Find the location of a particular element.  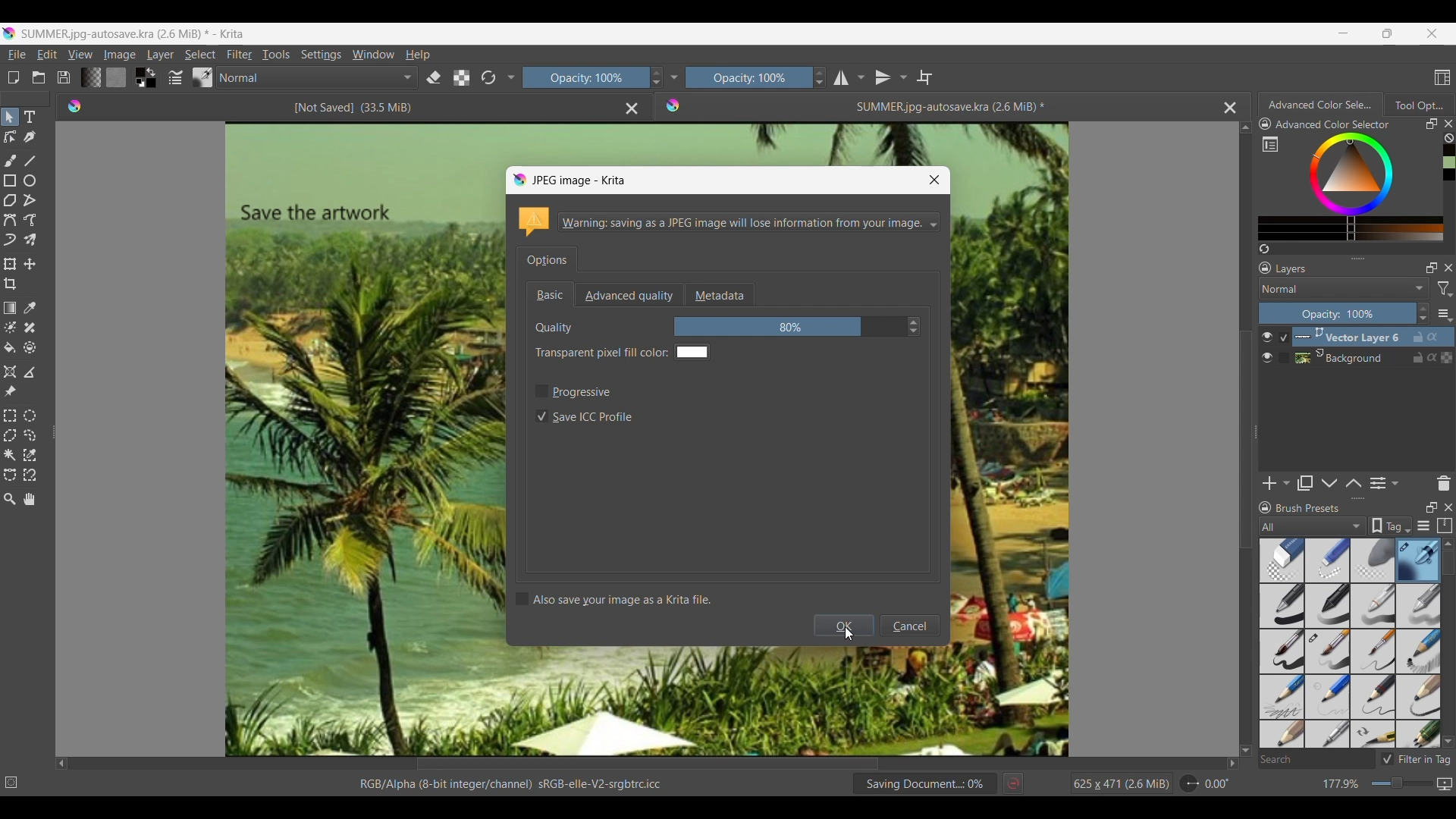

Preserve Alpha is located at coordinates (462, 78).